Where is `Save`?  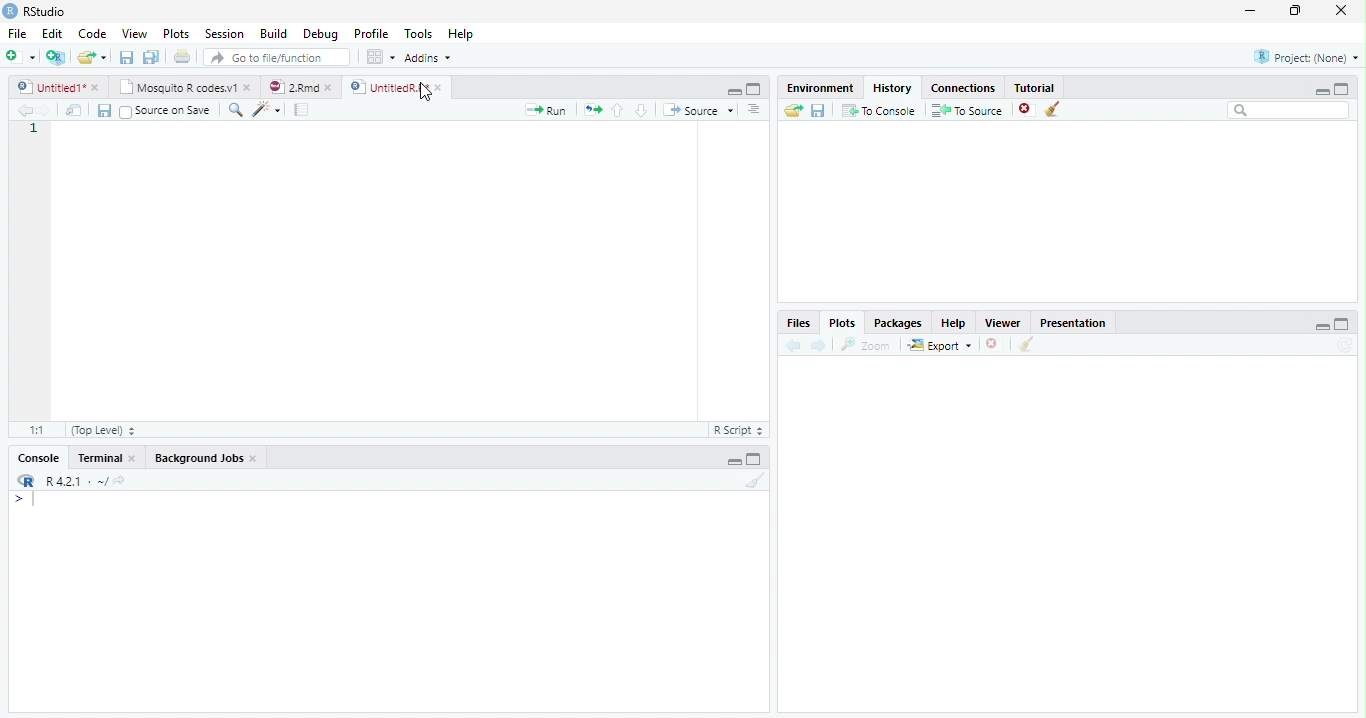
Save is located at coordinates (128, 58).